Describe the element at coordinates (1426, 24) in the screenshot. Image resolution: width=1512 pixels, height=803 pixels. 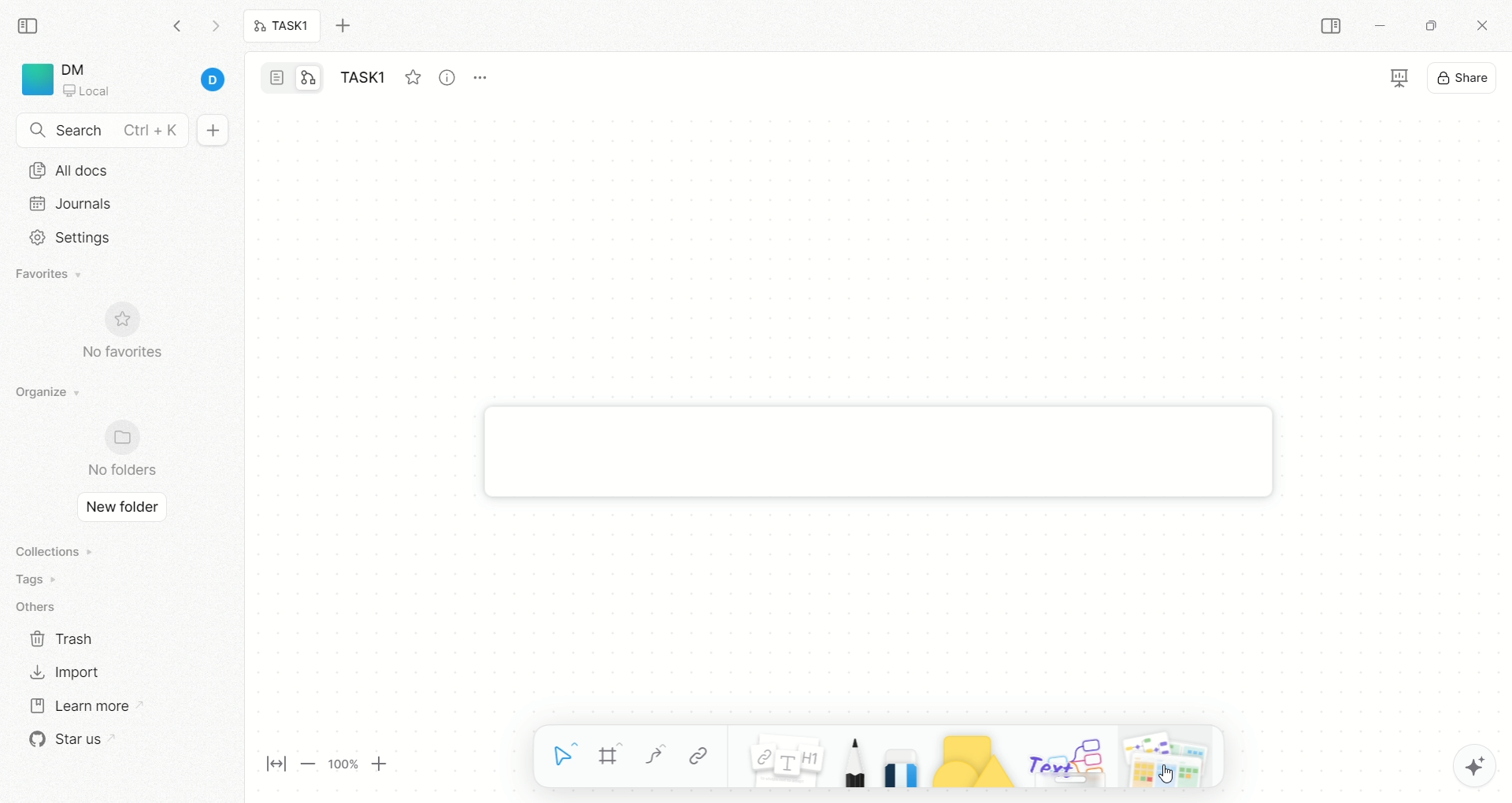
I see `maximize` at that location.